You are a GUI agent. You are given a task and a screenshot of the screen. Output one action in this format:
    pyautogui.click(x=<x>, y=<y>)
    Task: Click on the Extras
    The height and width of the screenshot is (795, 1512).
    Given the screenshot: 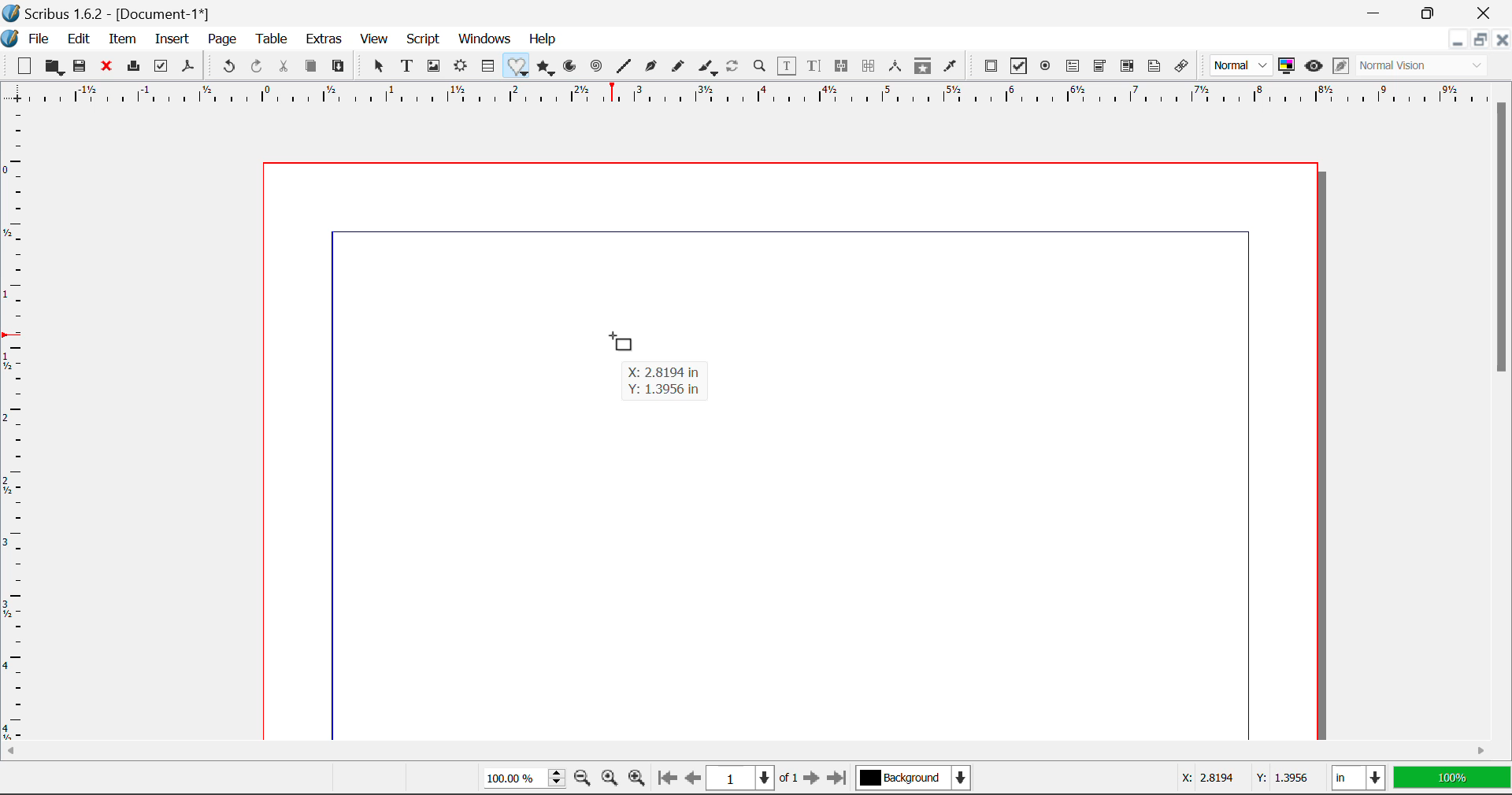 What is the action you would take?
    pyautogui.click(x=327, y=40)
    